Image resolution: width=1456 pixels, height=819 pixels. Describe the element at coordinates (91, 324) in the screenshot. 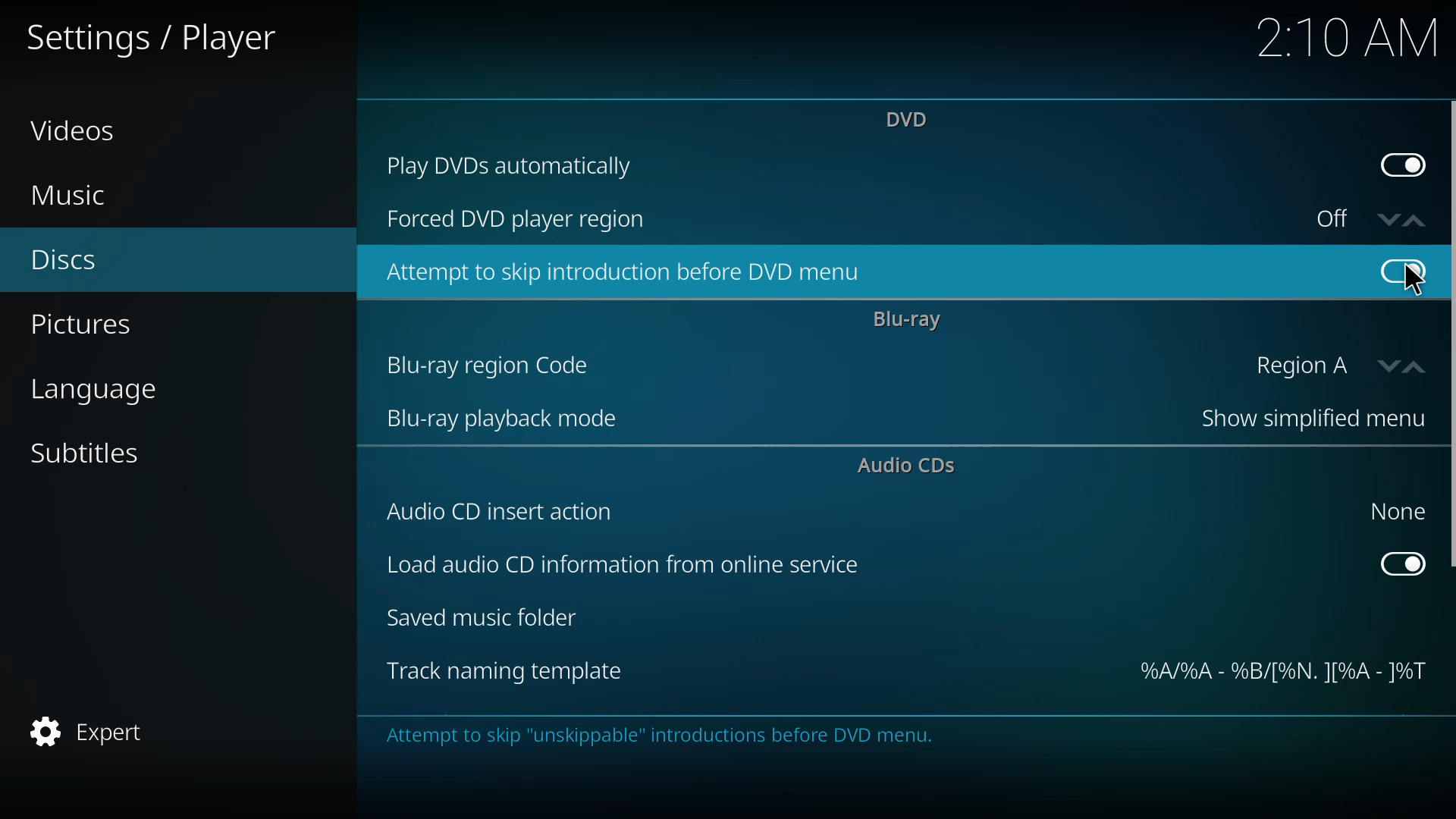

I see `pictures` at that location.